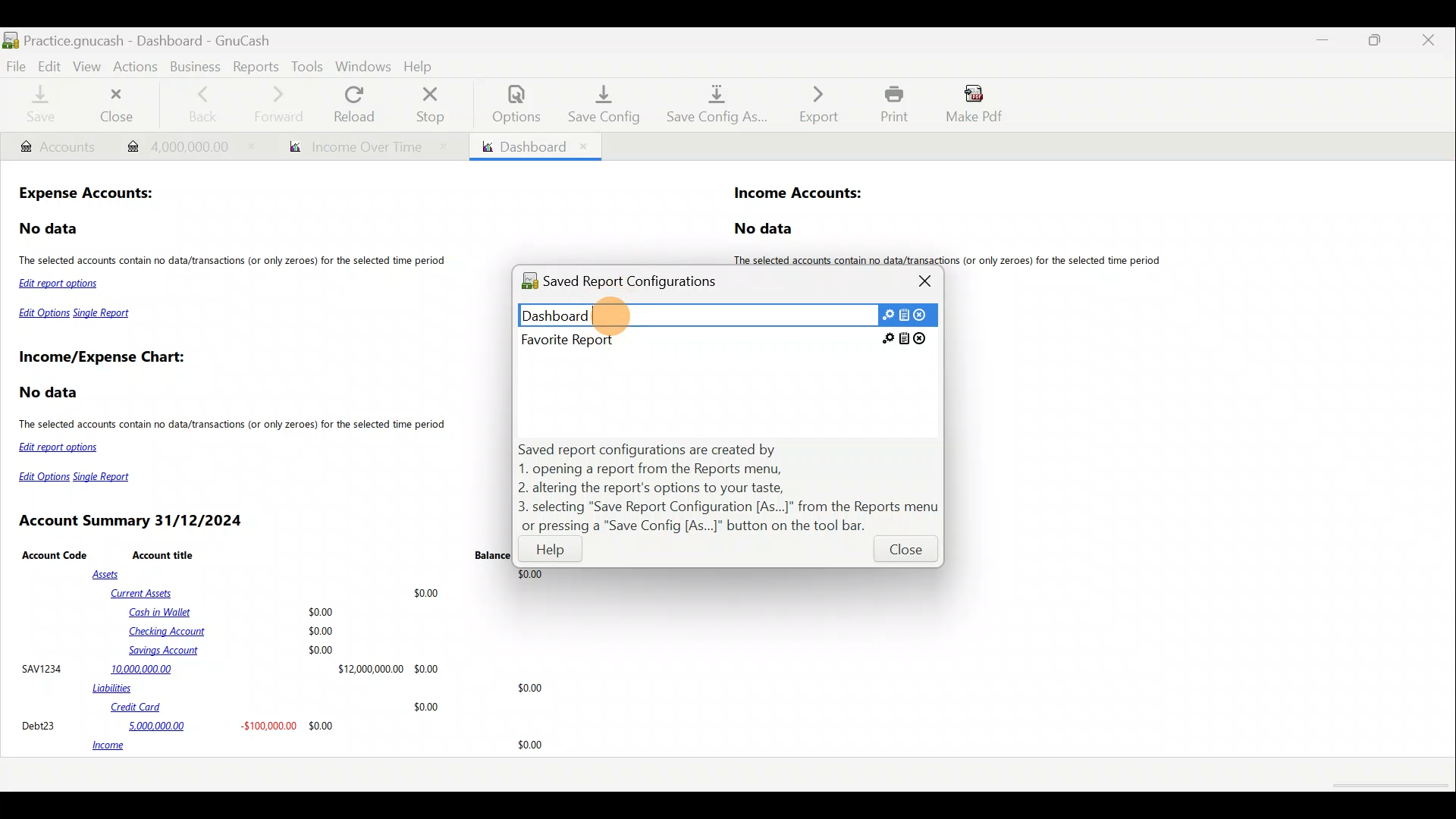 The width and height of the screenshot is (1456, 819). What do you see at coordinates (120, 105) in the screenshot?
I see `Close` at bounding box center [120, 105].